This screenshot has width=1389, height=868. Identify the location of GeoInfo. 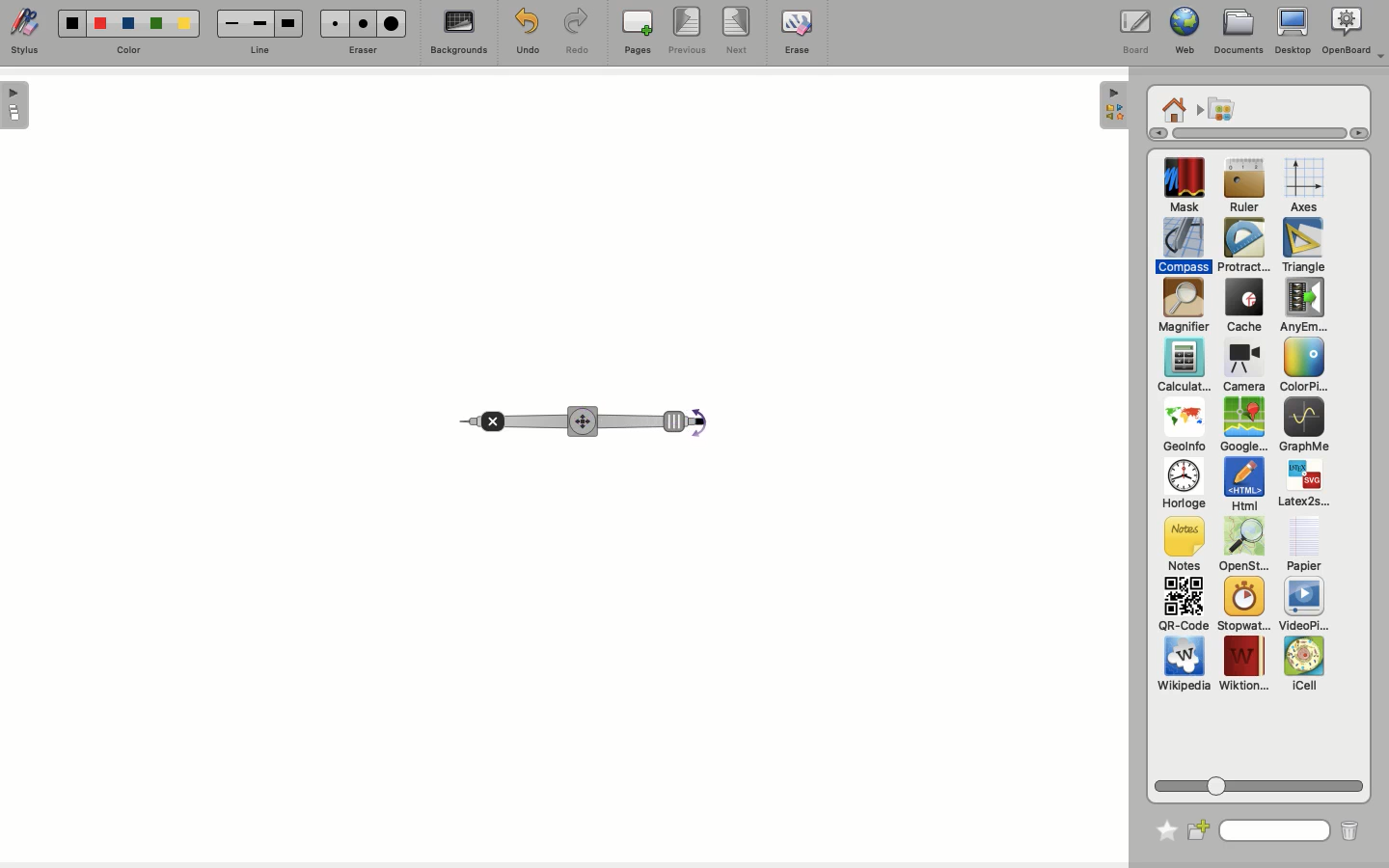
(1184, 430).